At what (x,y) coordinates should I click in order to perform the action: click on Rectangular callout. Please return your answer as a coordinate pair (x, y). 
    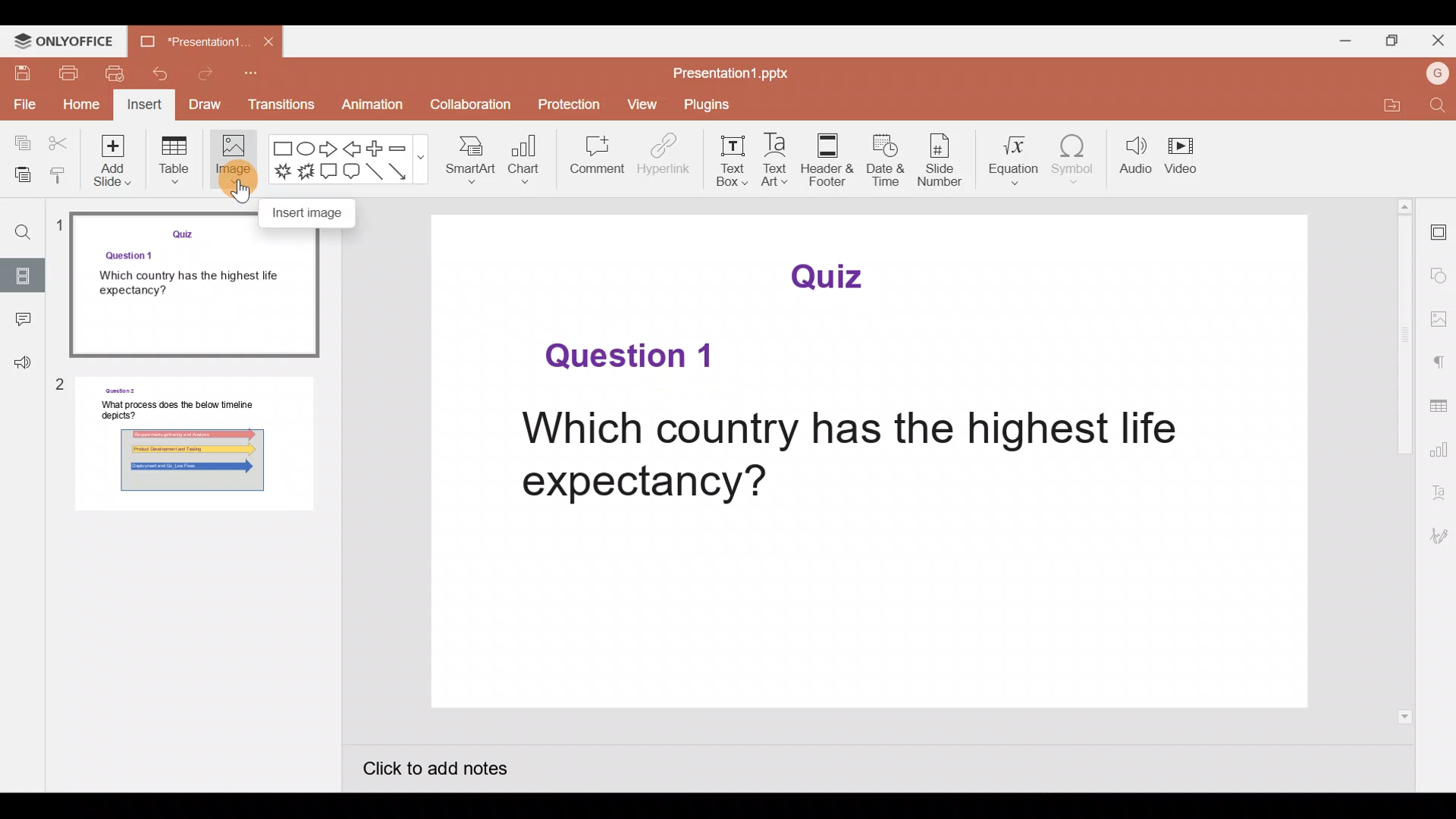
    Looking at the image, I should click on (329, 174).